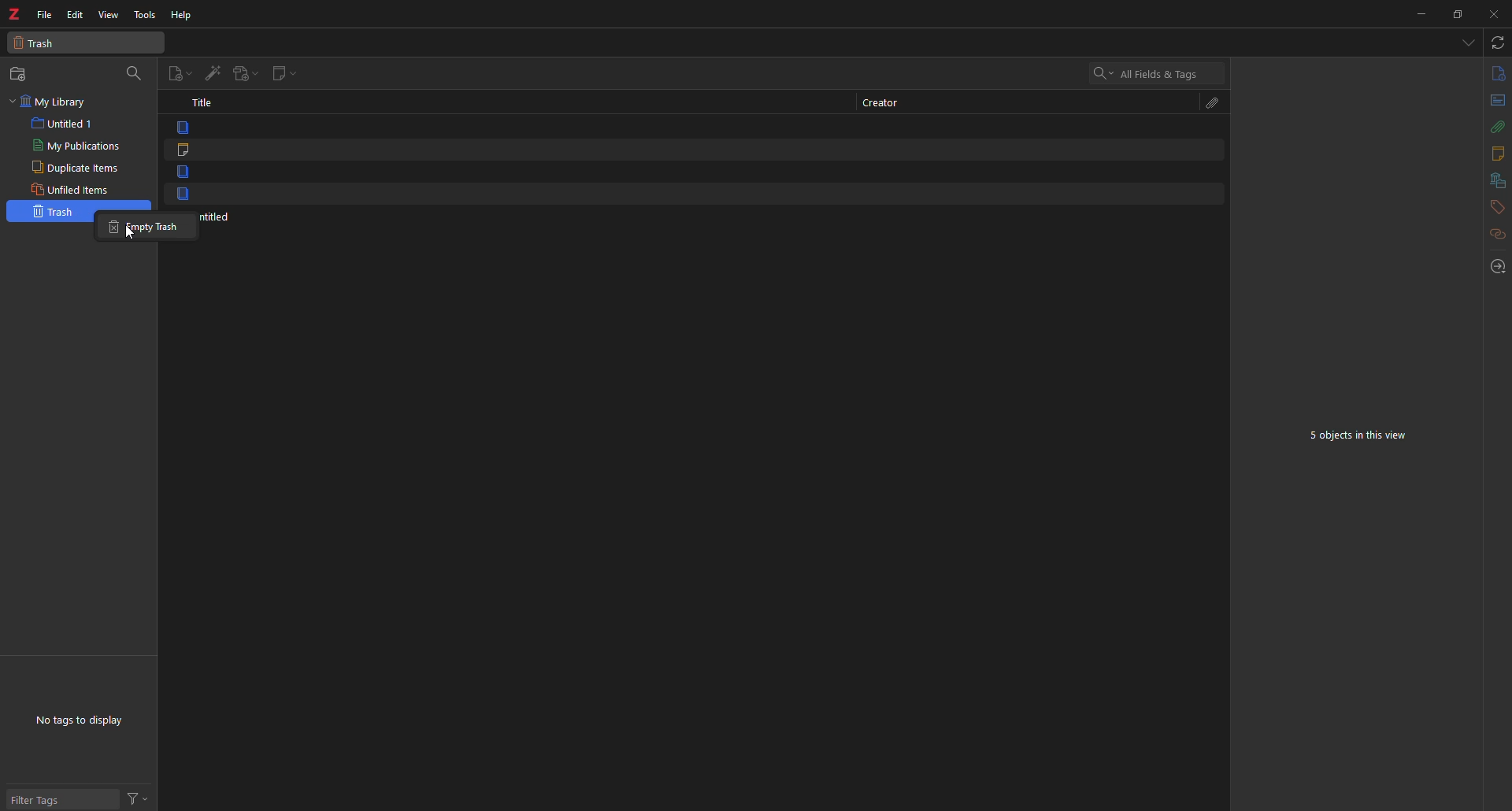 The height and width of the screenshot is (811, 1512). Describe the element at coordinates (1361, 434) in the screenshot. I see `5 objects` at that location.